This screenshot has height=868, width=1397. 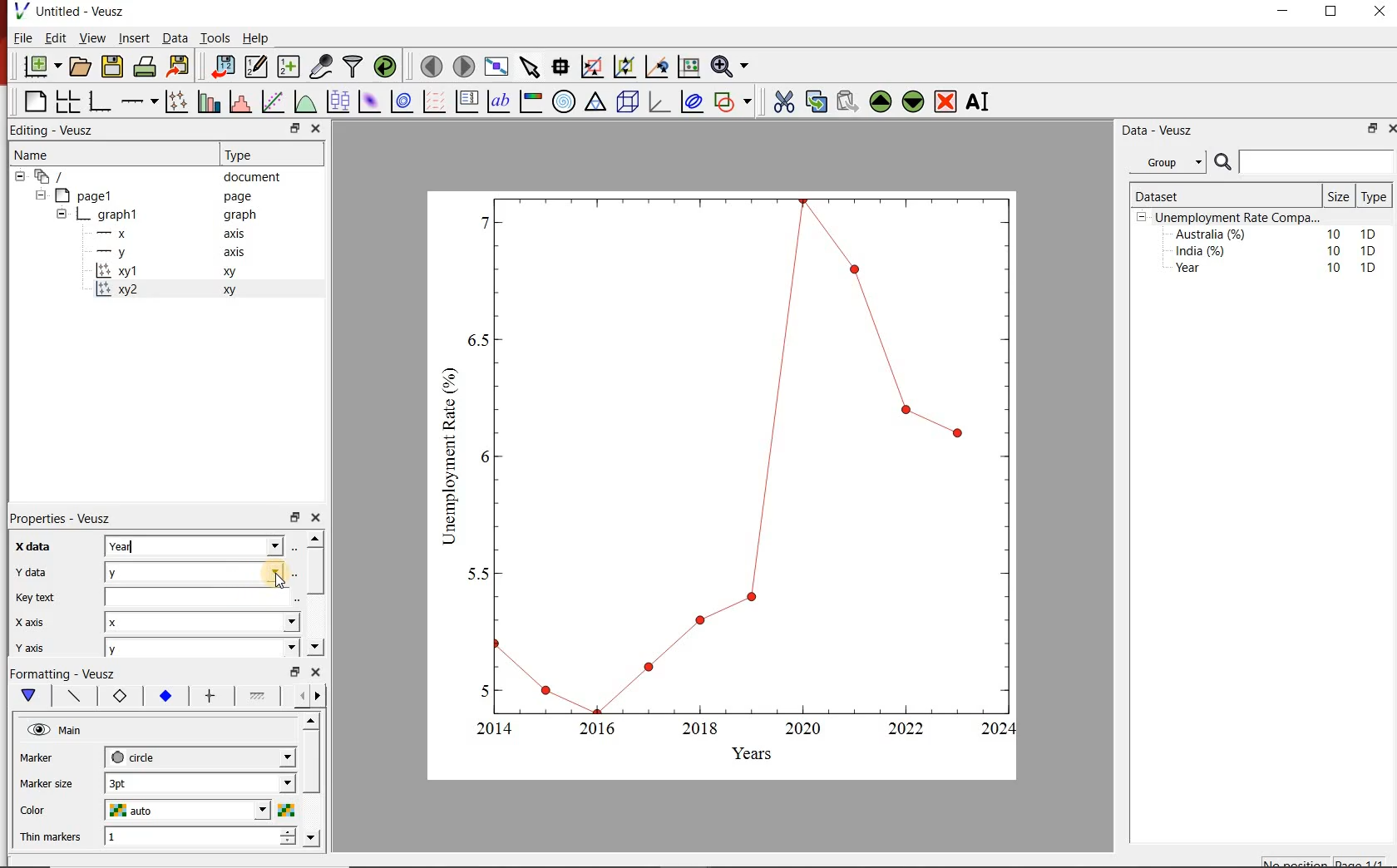 What do you see at coordinates (352, 67) in the screenshot?
I see `filter data` at bounding box center [352, 67].